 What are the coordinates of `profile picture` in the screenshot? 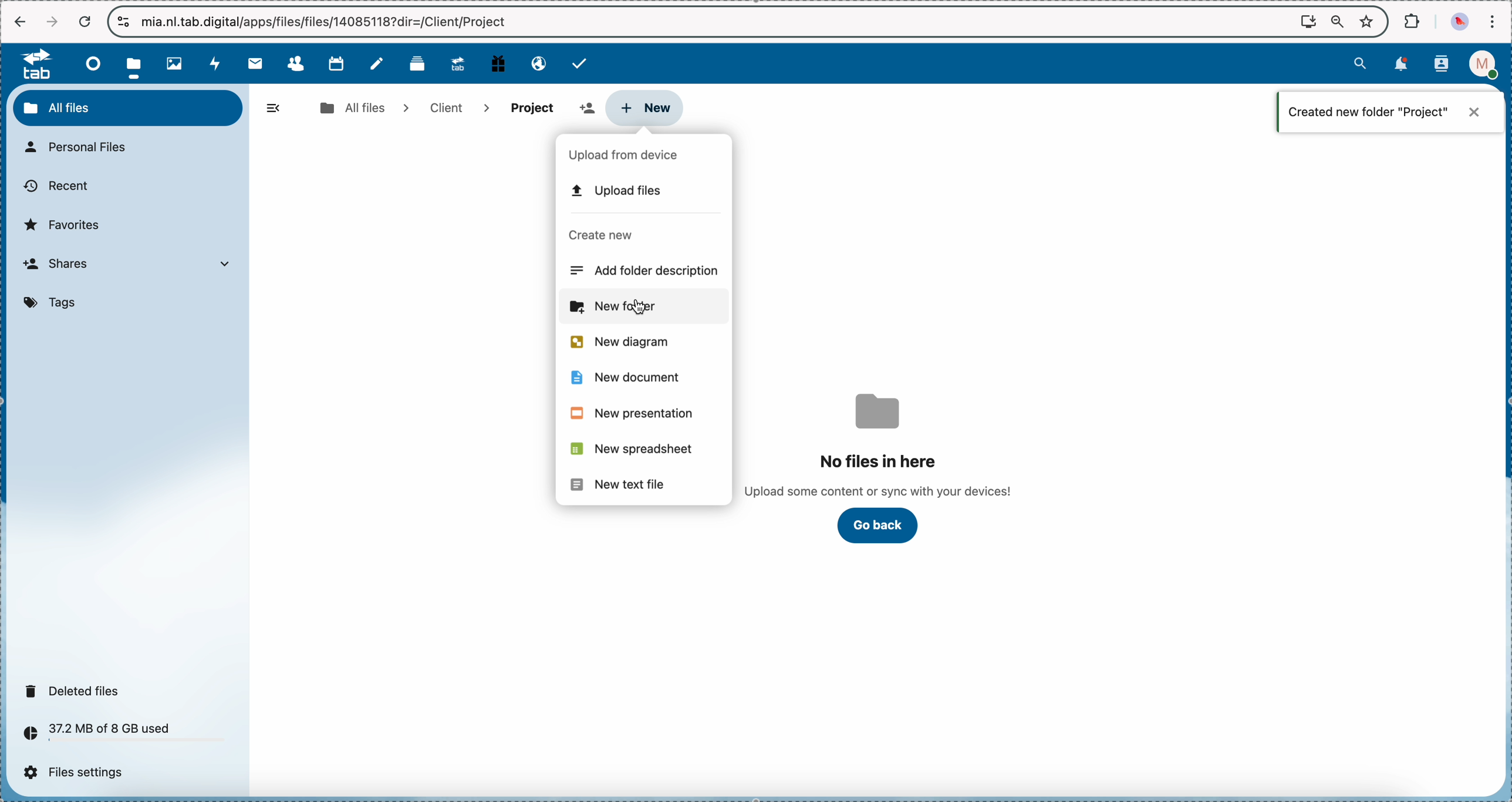 It's located at (1462, 22).